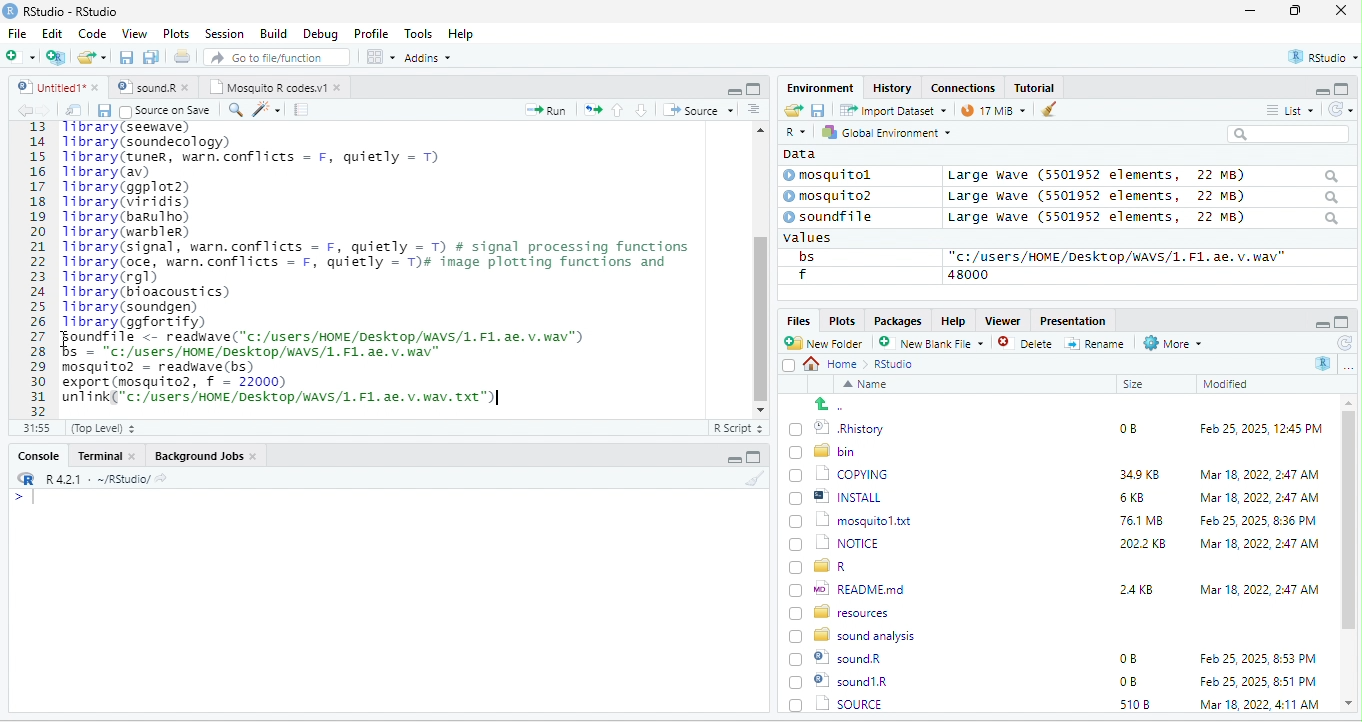 Image resolution: width=1362 pixels, height=722 pixels. Describe the element at coordinates (103, 110) in the screenshot. I see `save` at that location.